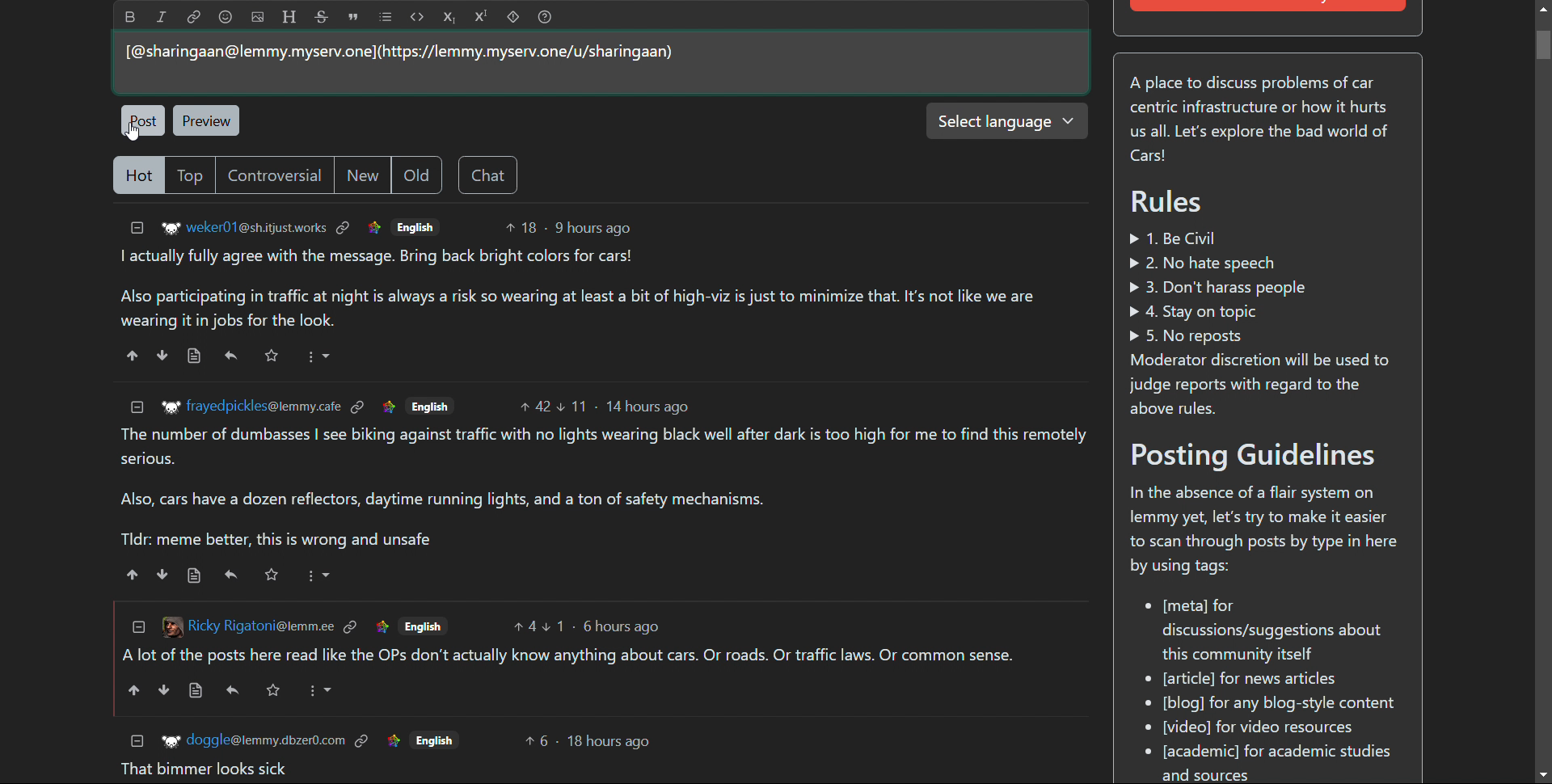 The image size is (1552, 784). What do you see at coordinates (1006, 121) in the screenshot?
I see `select language` at bounding box center [1006, 121].